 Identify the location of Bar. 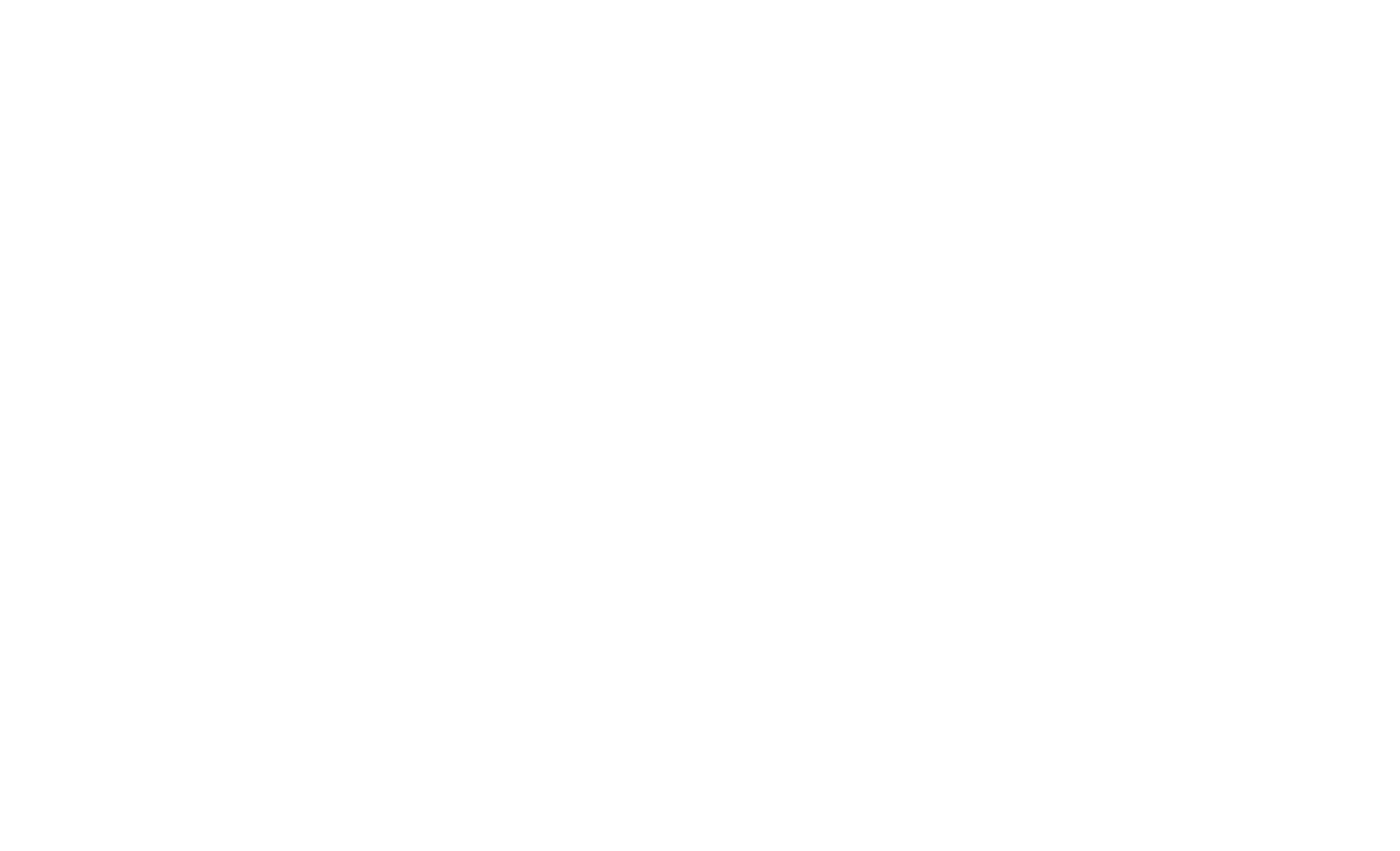
(1013, 836).